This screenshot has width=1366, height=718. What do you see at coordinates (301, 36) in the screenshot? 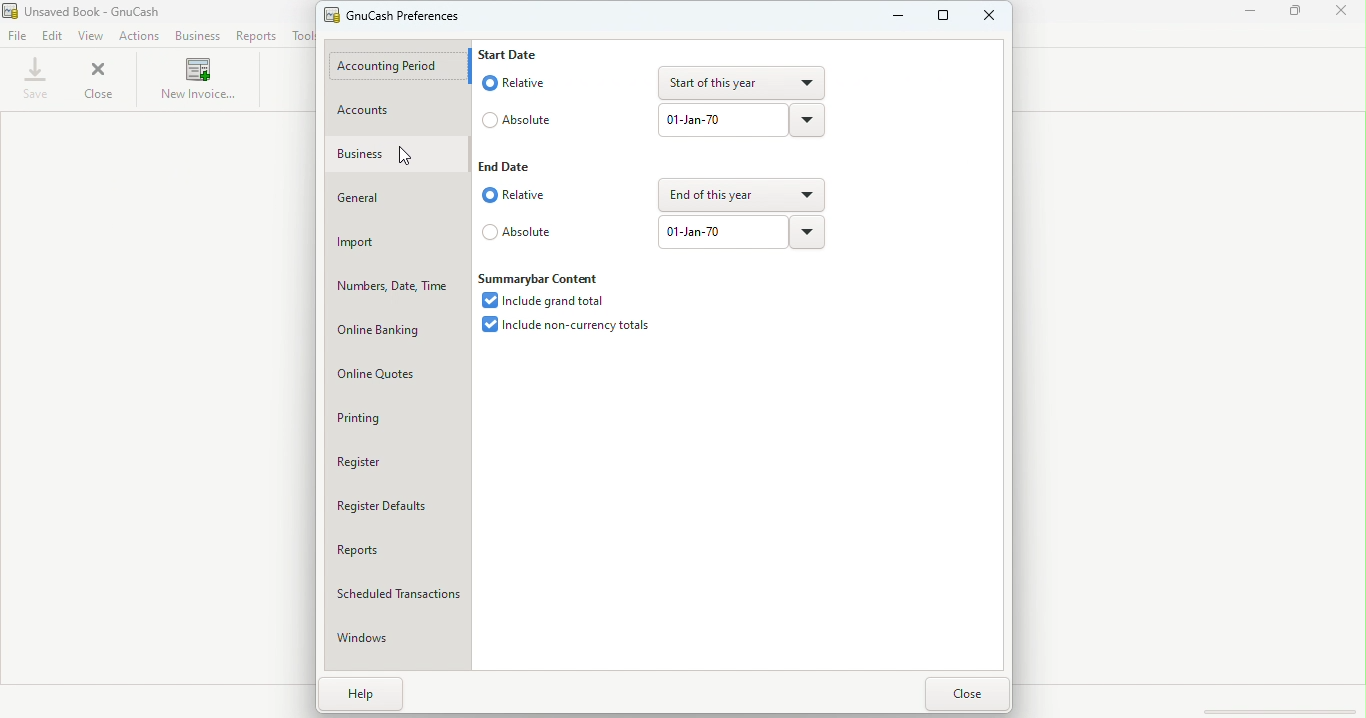
I see `Tools` at bounding box center [301, 36].